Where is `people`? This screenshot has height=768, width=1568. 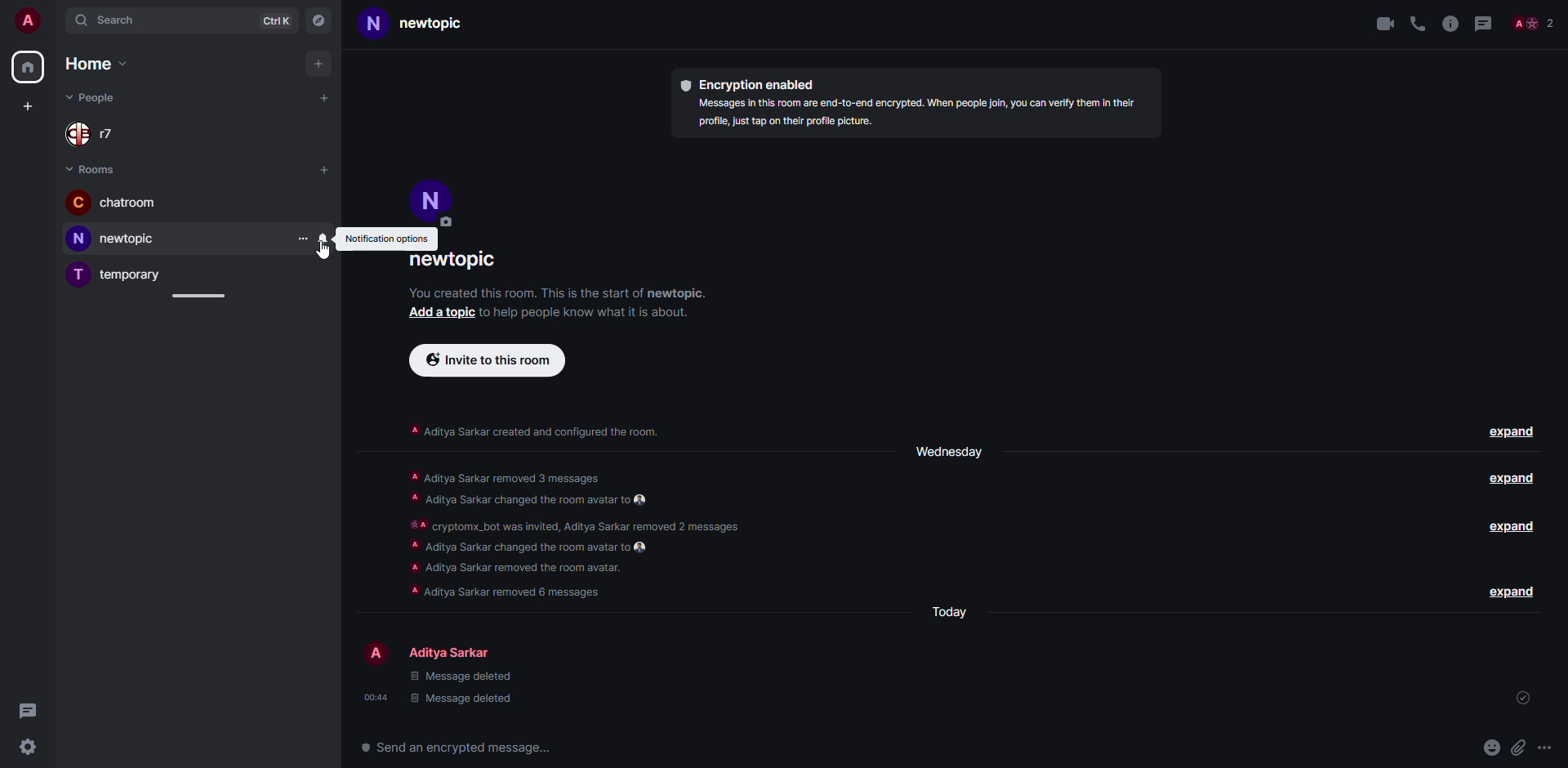
people is located at coordinates (452, 654).